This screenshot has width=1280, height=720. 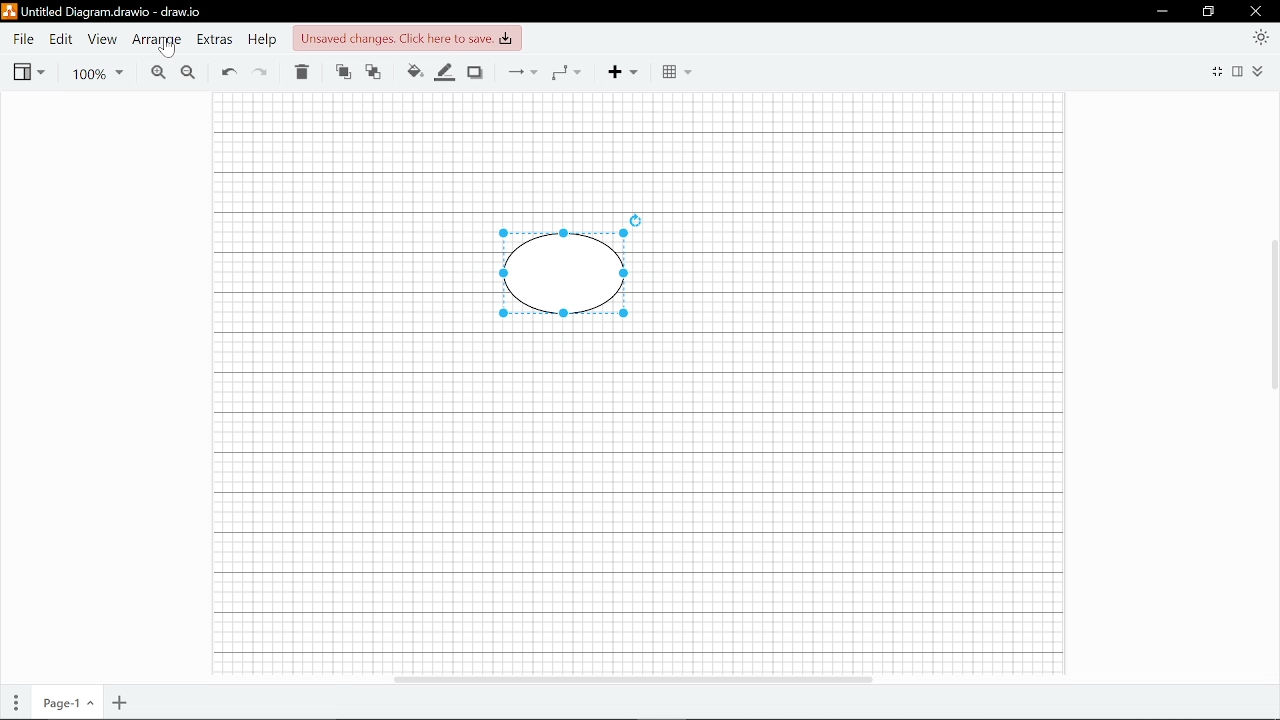 What do you see at coordinates (446, 73) in the screenshot?
I see `Fill line` at bounding box center [446, 73].